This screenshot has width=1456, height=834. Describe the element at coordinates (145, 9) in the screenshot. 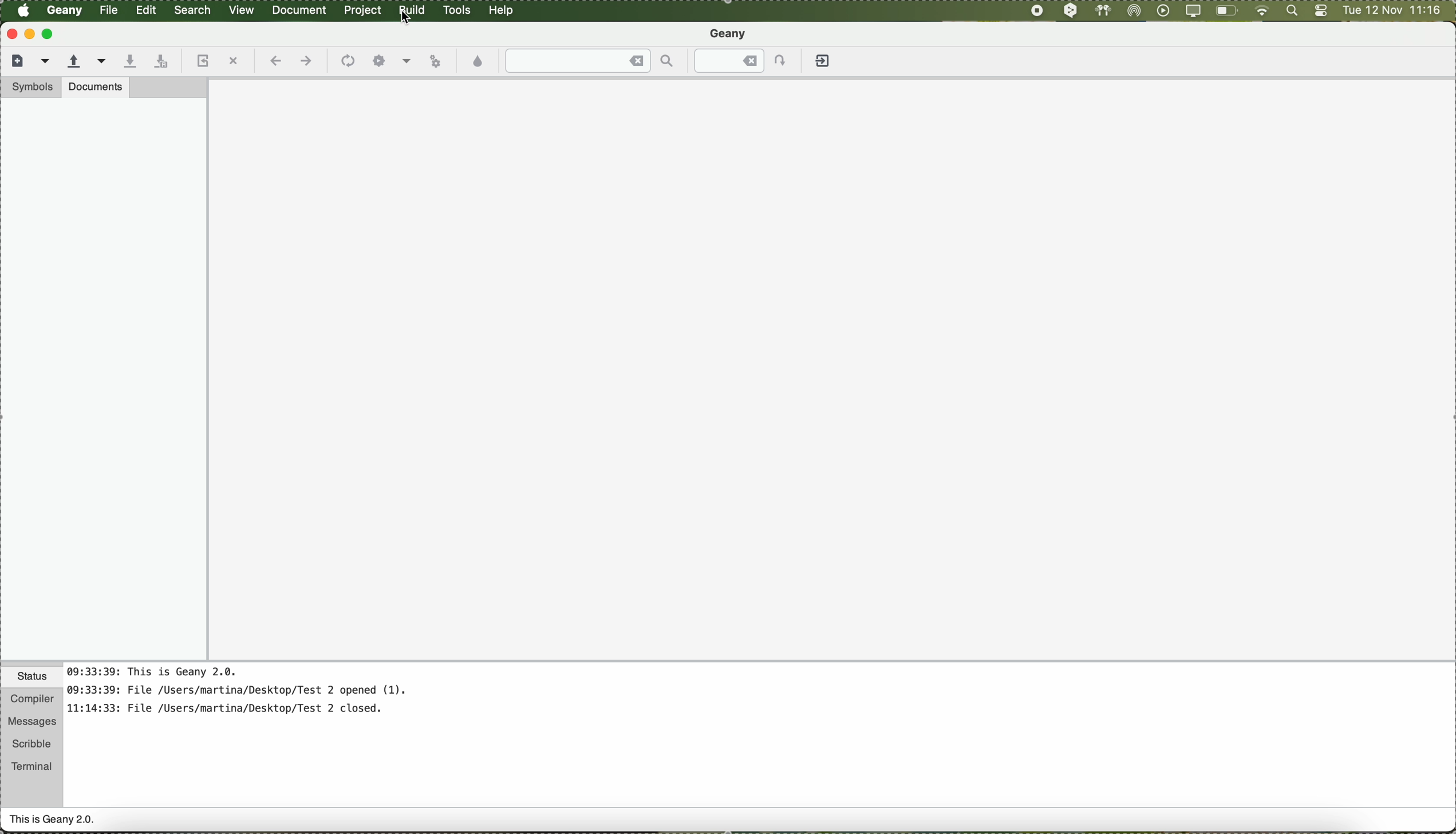

I see `edit` at that location.